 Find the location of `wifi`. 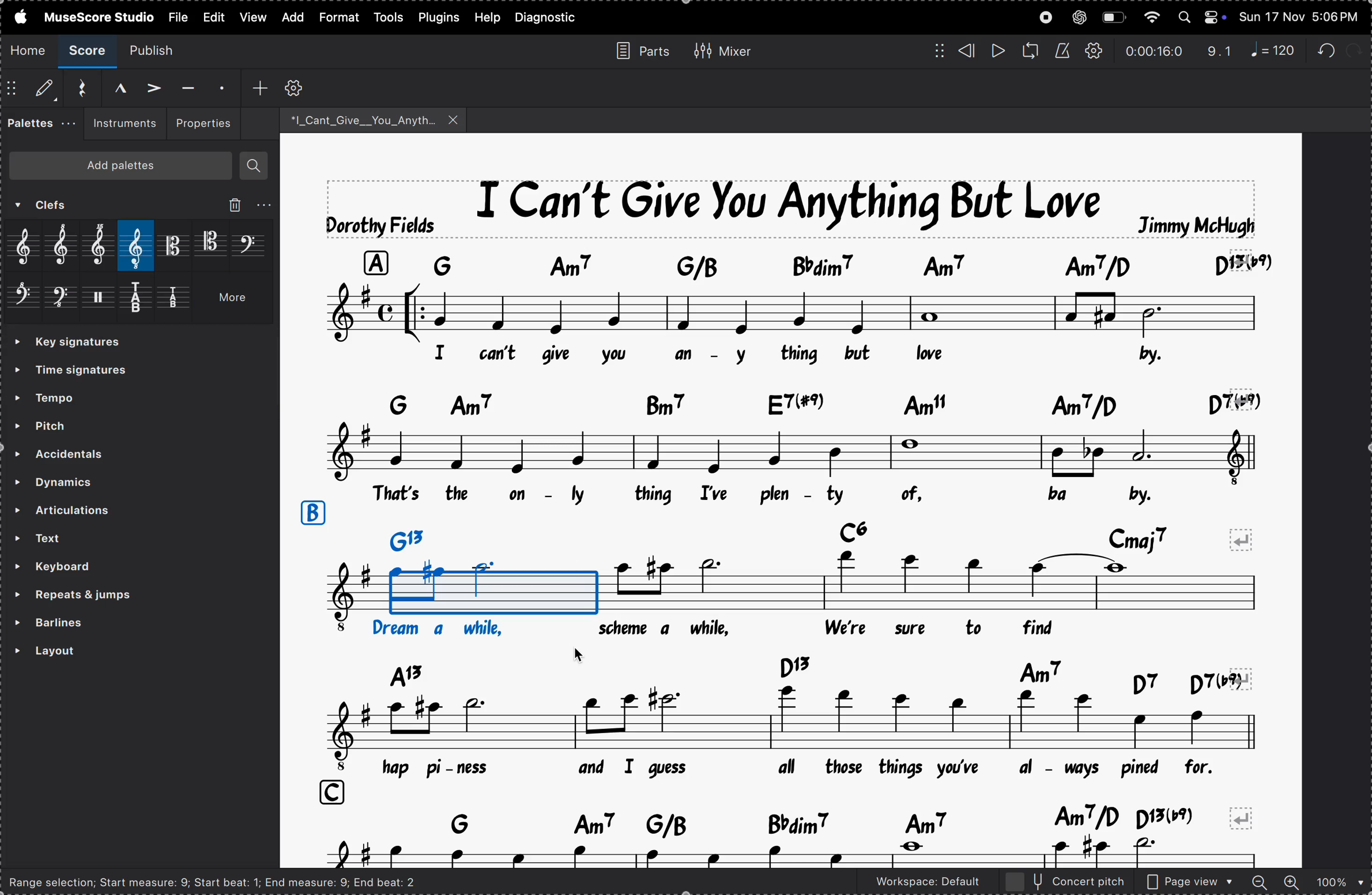

wifi is located at coordinates (1150, 18).